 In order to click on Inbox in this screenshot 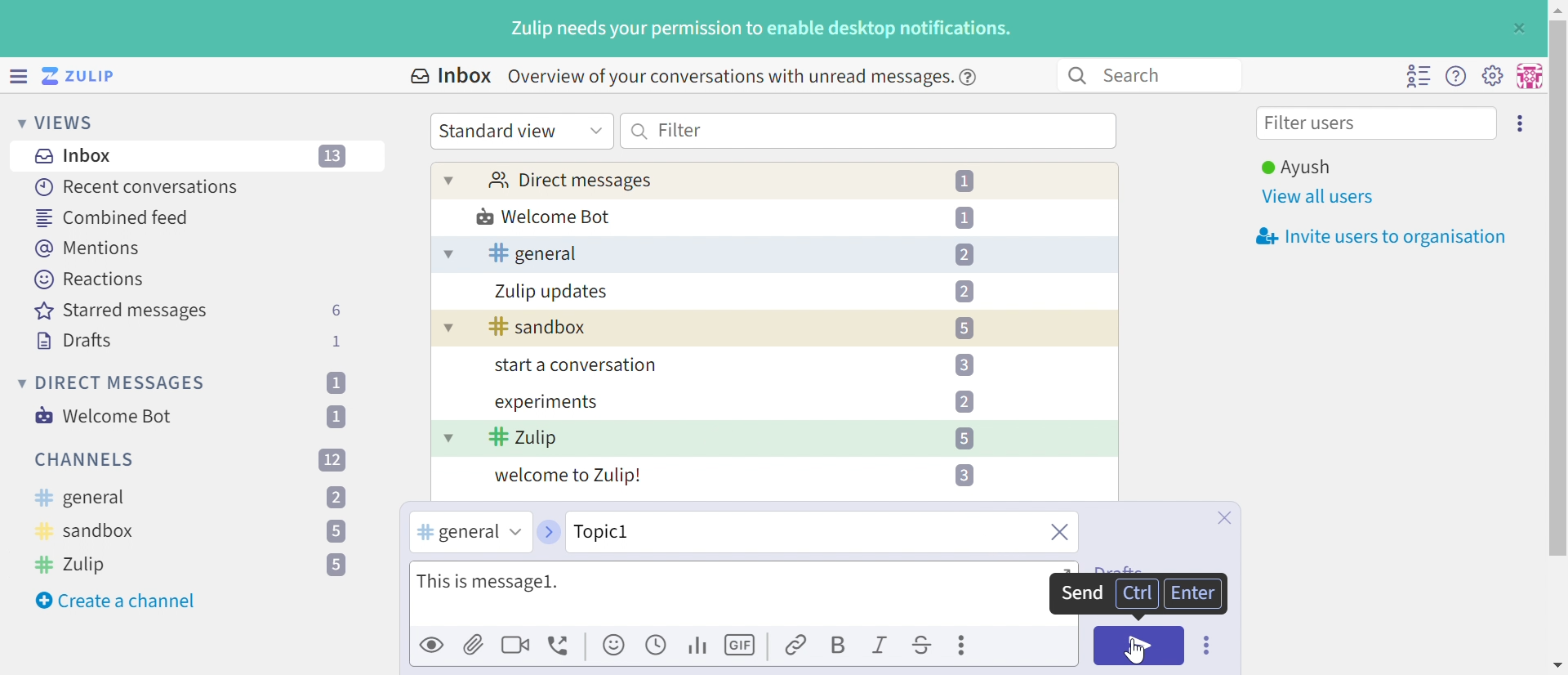, I will do `click(78, 156)`.